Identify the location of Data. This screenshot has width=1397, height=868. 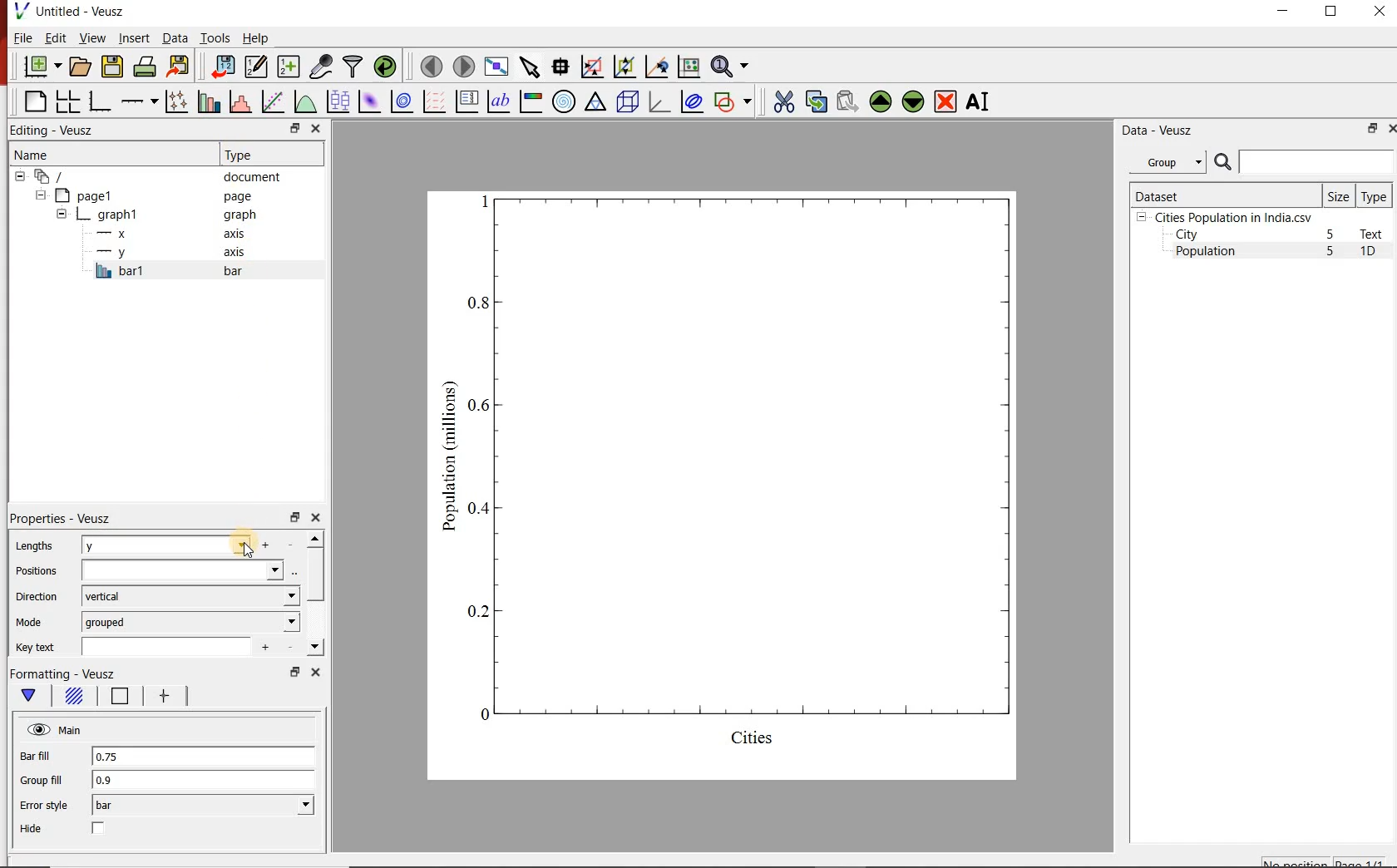
(175, 39).